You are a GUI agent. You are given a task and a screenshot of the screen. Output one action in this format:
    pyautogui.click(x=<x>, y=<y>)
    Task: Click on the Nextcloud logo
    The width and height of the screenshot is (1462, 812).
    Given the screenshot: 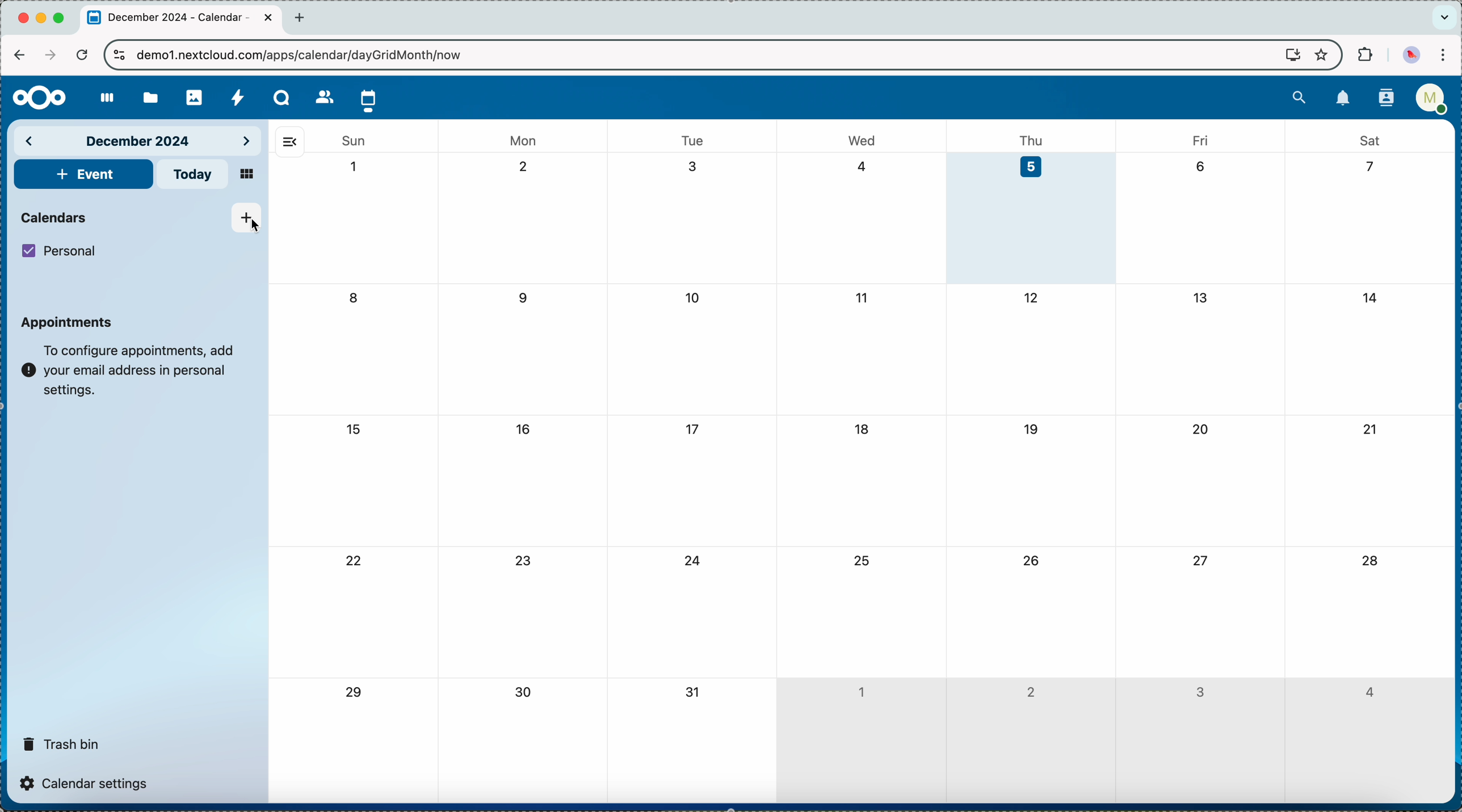 What is the action you would take?
    pyautogui.click(x=35, y=98)
    